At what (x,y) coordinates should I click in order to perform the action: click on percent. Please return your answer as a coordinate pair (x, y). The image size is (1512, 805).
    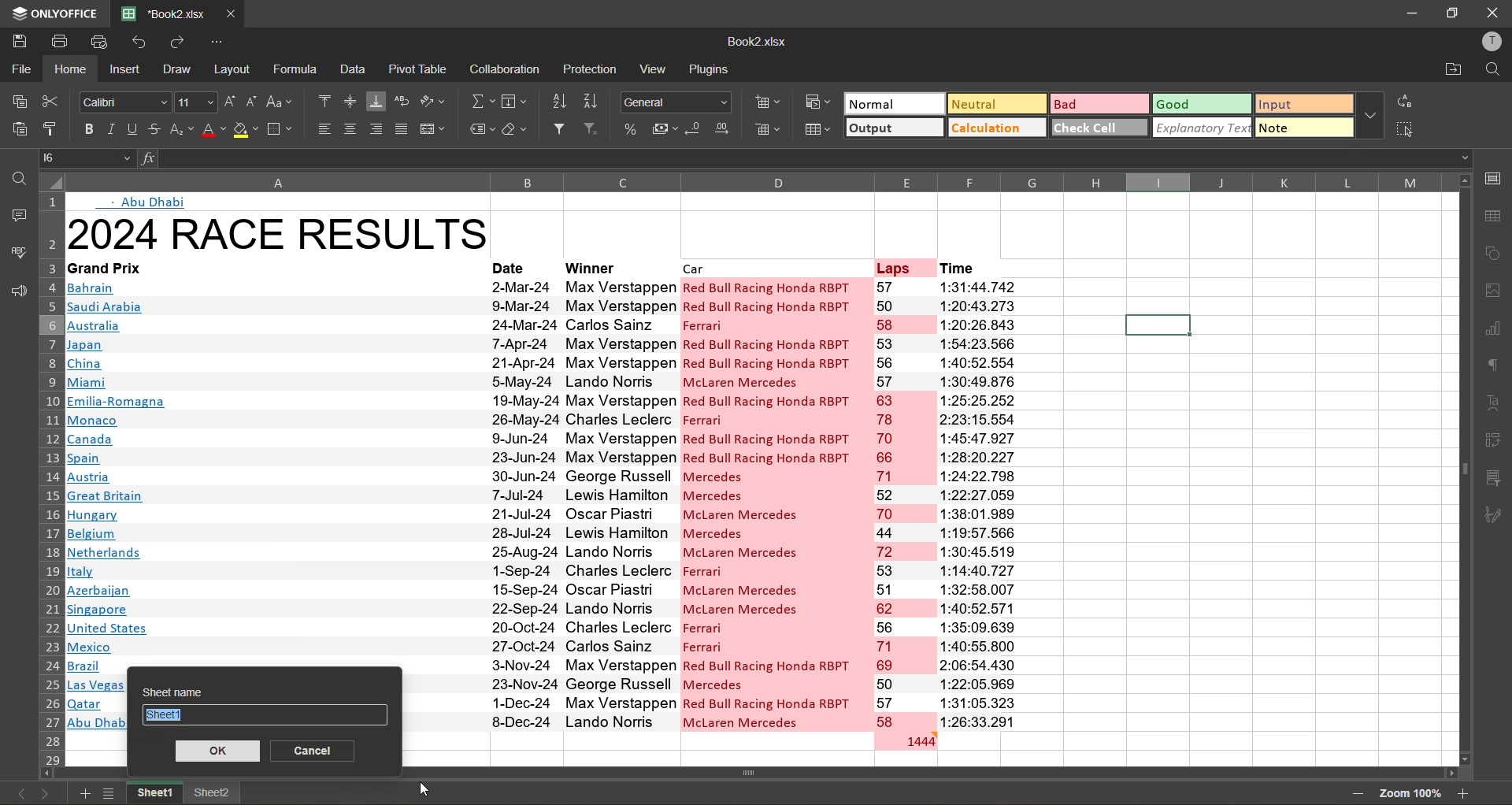
    Looking at the image, I should click on (628, 130).